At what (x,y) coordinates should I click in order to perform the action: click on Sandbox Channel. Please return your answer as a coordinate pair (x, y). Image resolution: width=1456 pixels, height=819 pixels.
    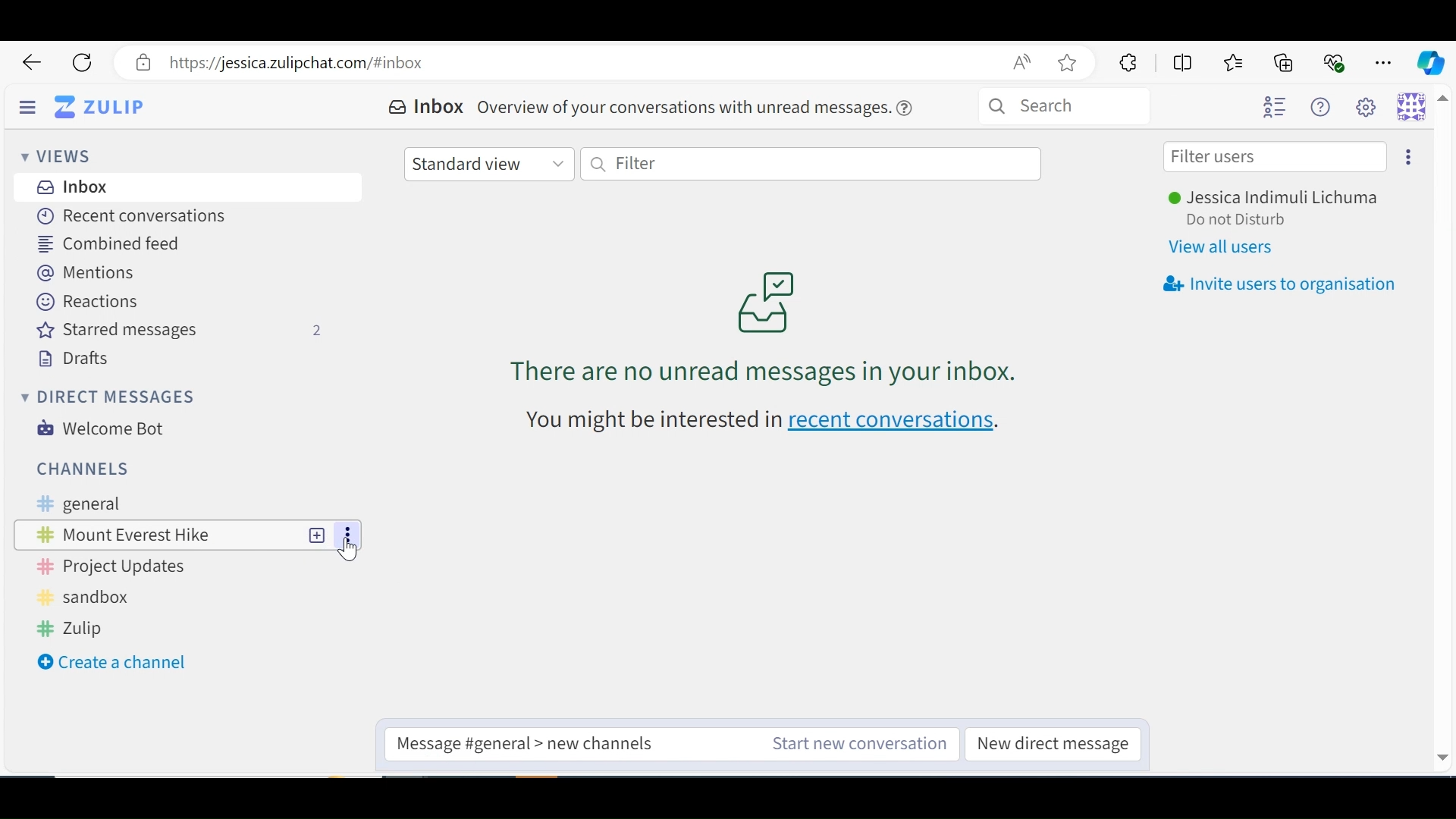
    Looking at the image, I should click on (99, 598).